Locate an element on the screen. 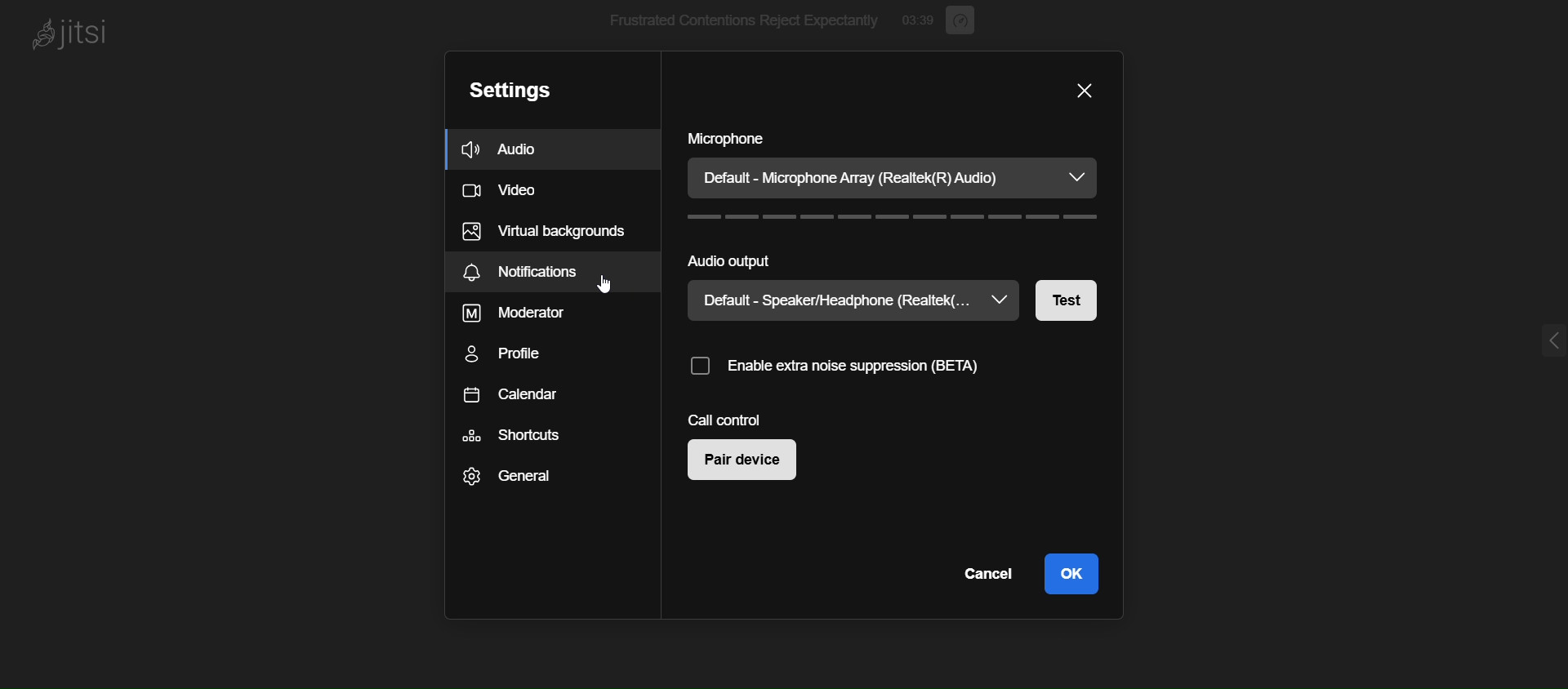 Image resolution: width=1568 pixels, height=689 pixels. pair device is located at coordinates (750, 465).